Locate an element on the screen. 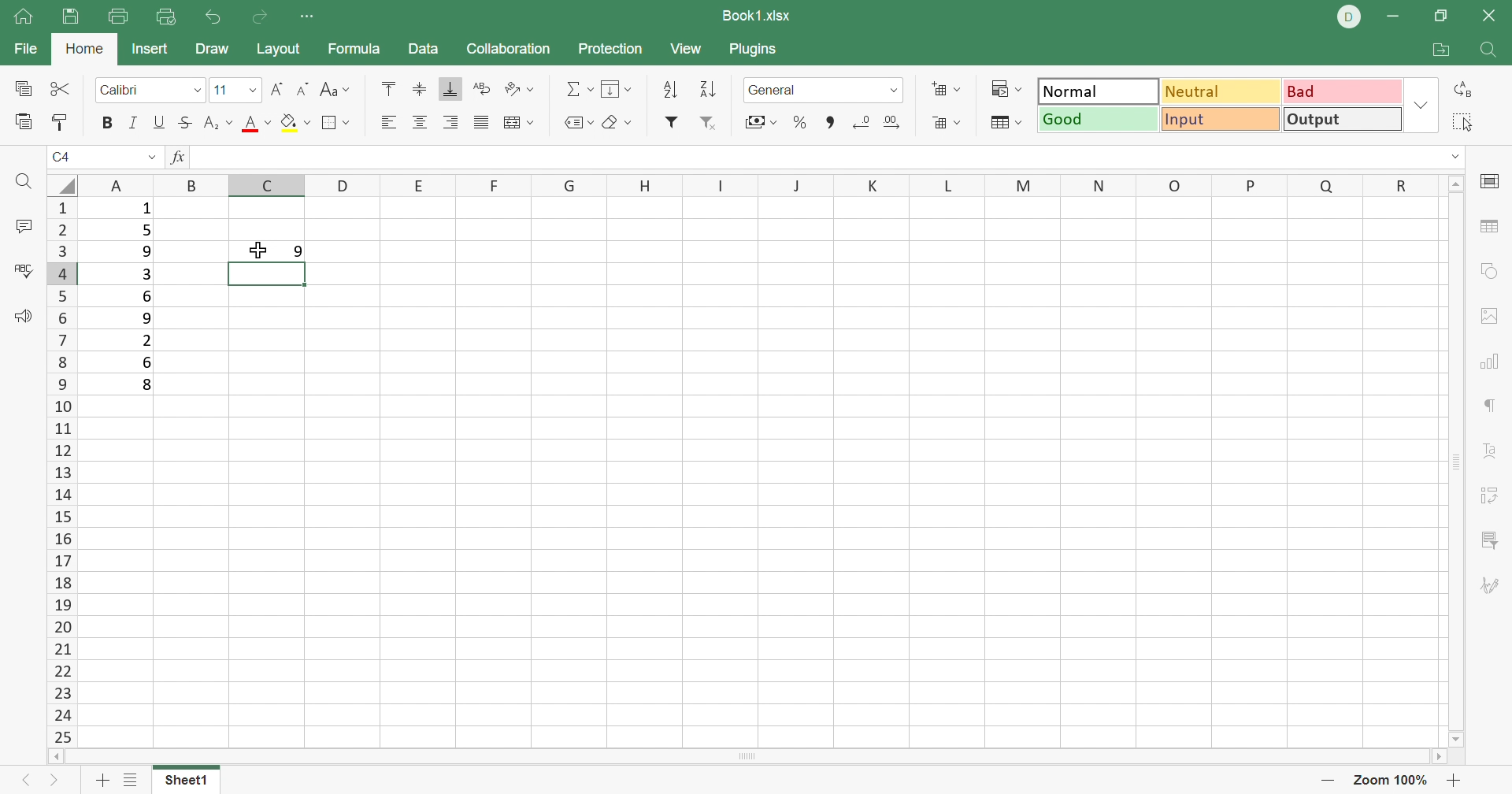 Image resolution: width=1512 pixels, height=794 pixels. font size is located at coordinates (224, 90).